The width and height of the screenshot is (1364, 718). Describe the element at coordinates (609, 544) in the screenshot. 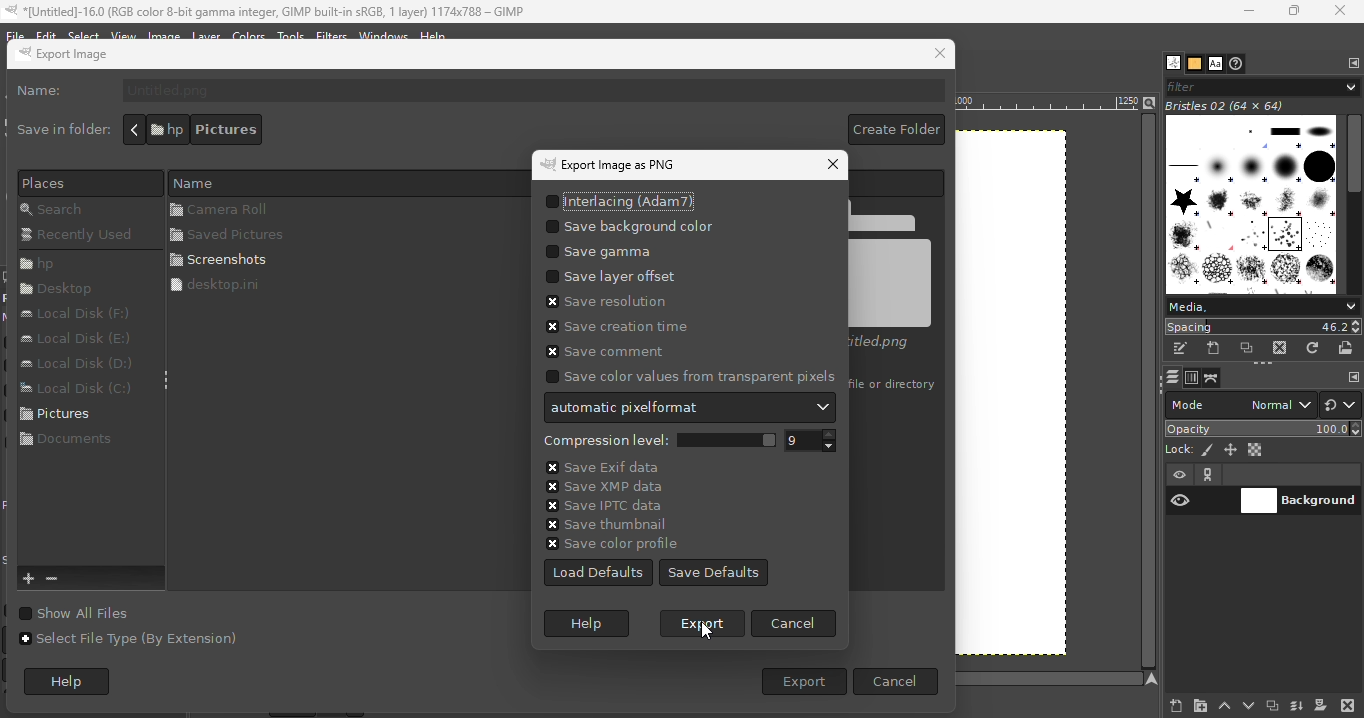

I see `Save color profile` at that location.